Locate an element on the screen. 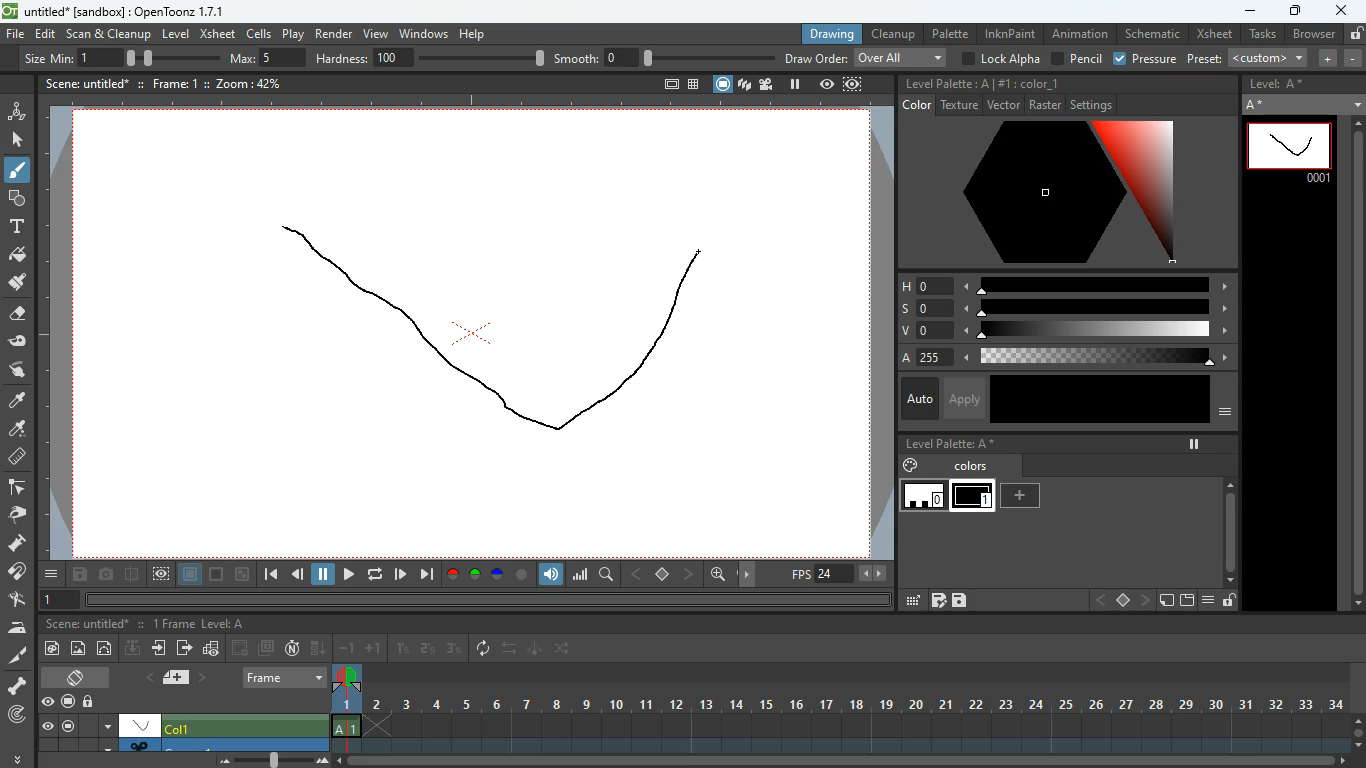 The height and width of the screenshot is (768, 1366). refresh is located at coordinates (487, 649).